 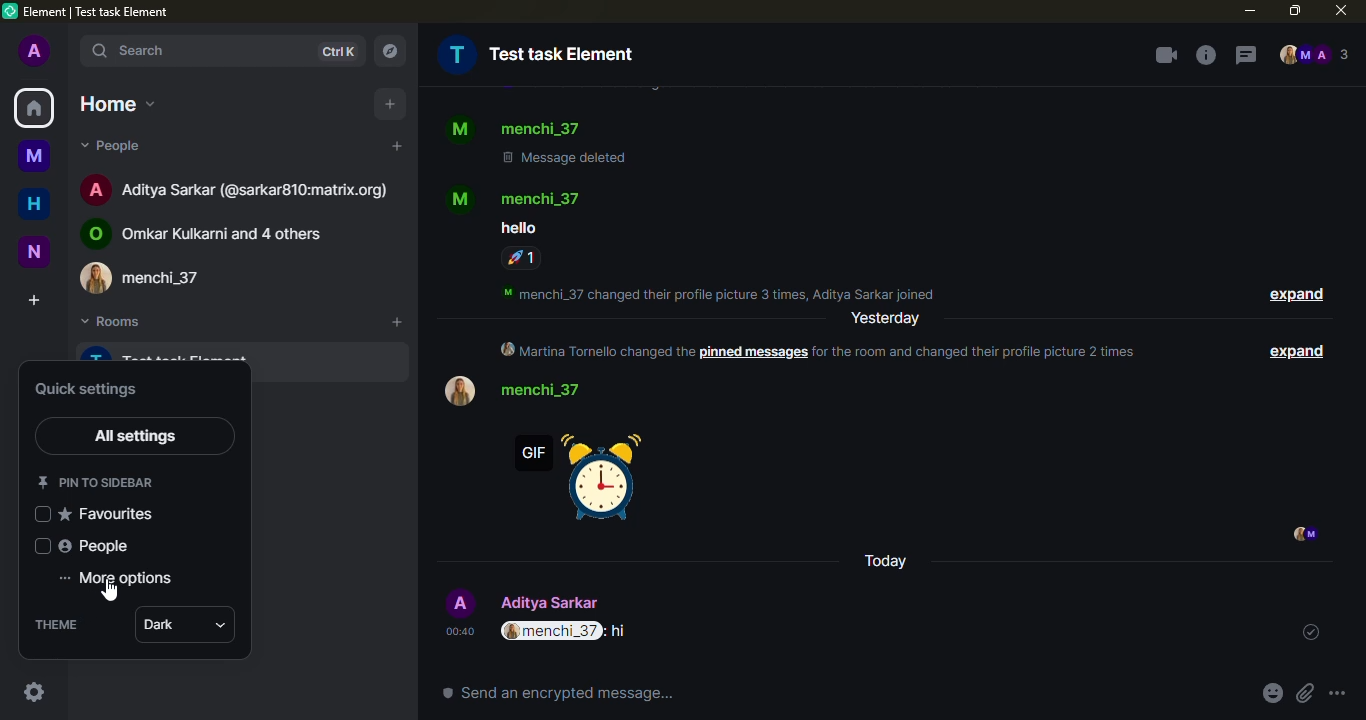 What do you see at coordinates (387, 52) in the screenshot?
I see `navigator` at bounding box center [387, 52].